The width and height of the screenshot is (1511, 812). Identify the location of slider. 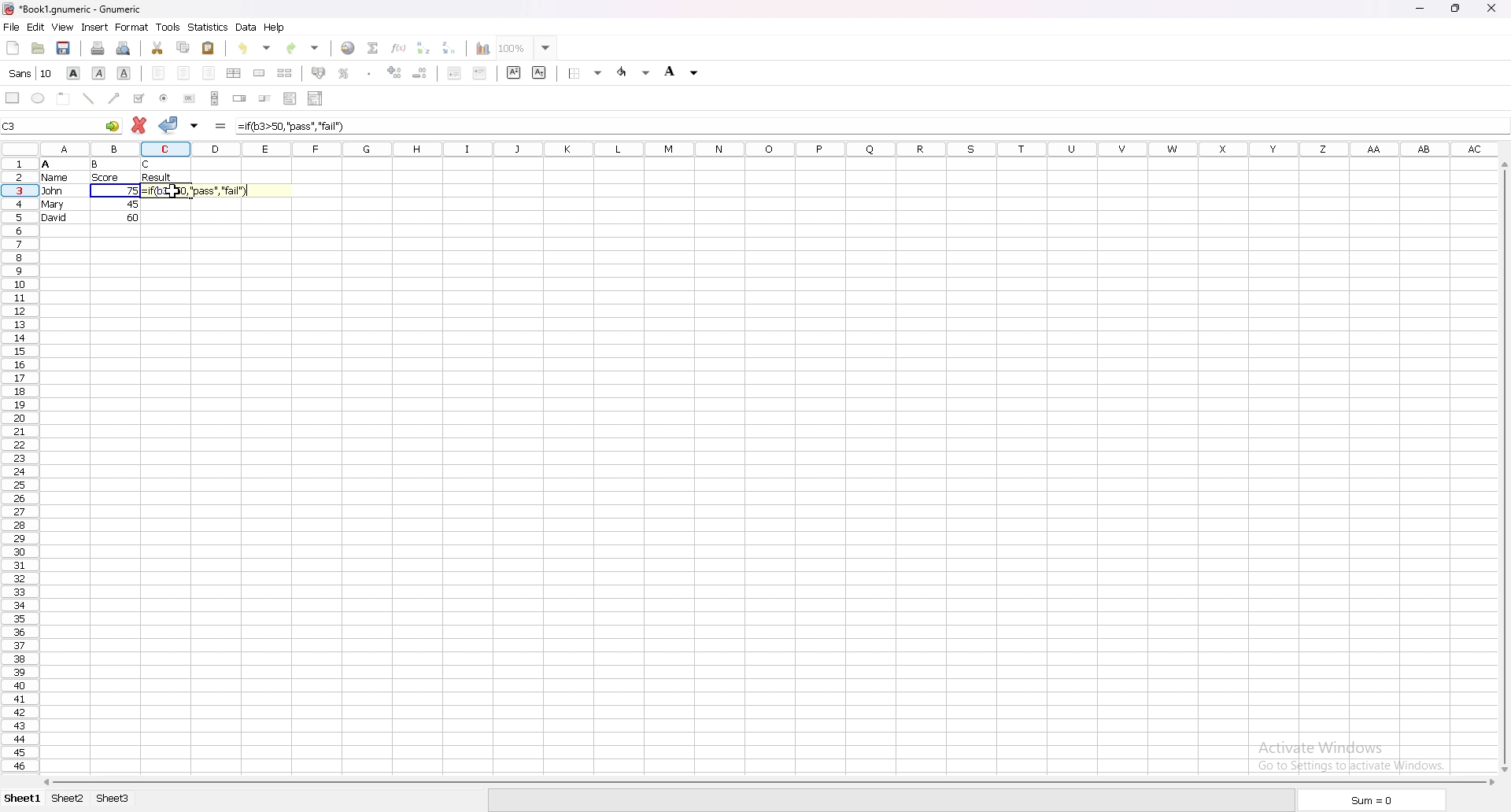
(266, 98).